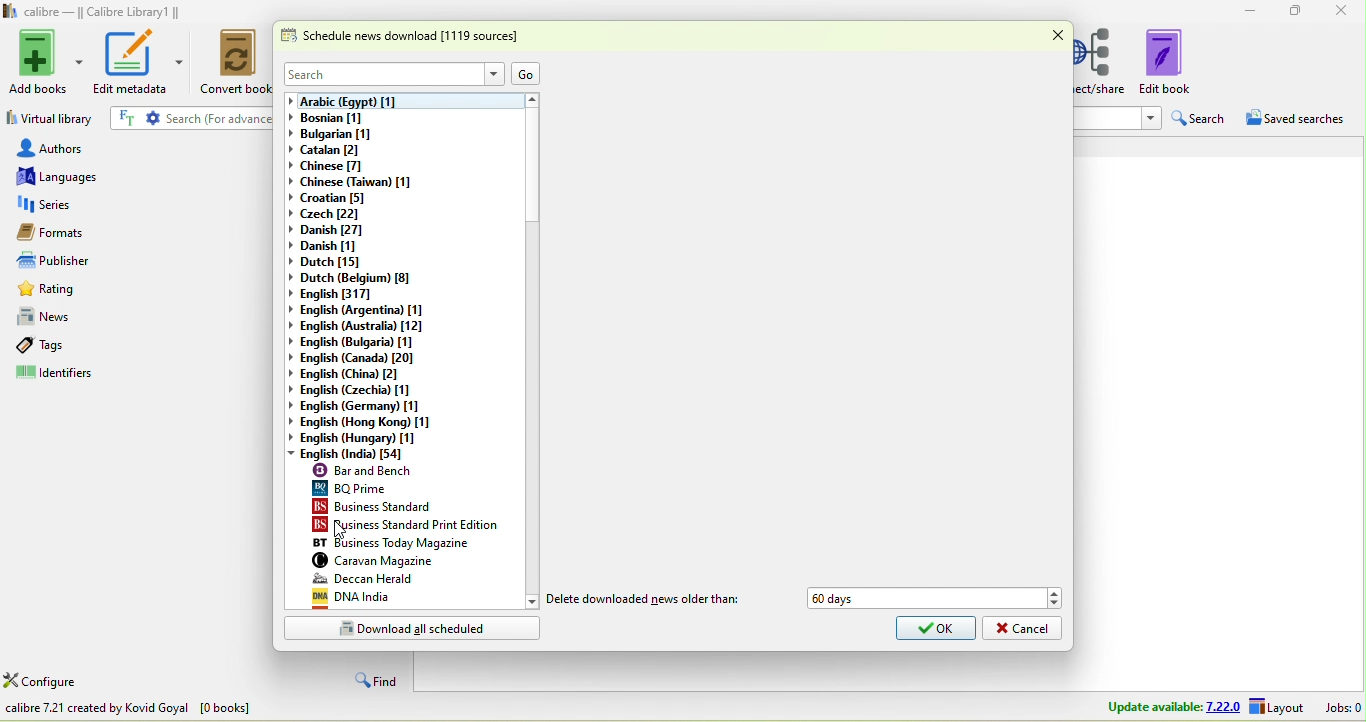 This screenshot has height=722, width=1366. I want to click on minimize, so click(1254, 11).